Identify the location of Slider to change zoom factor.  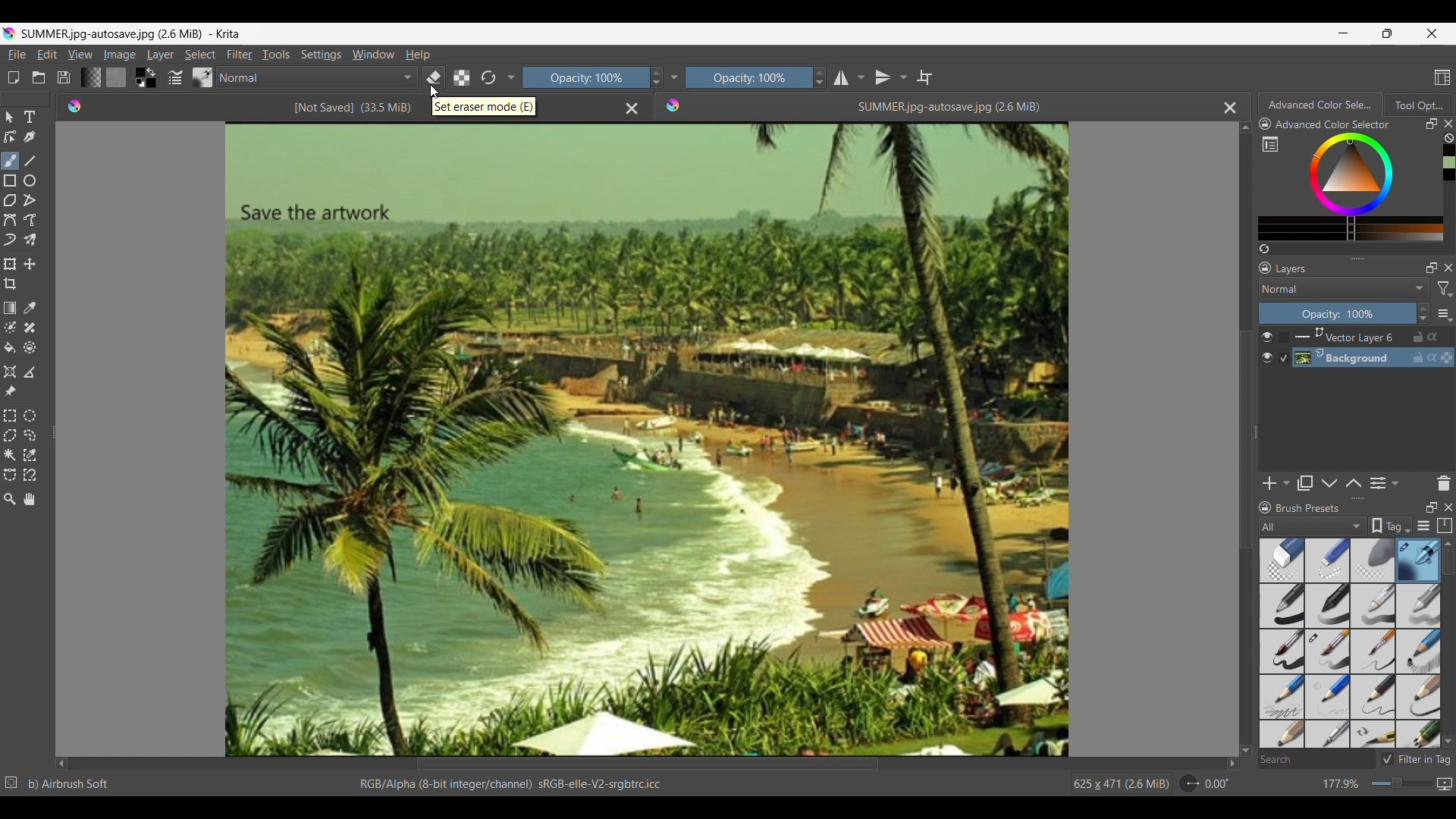
(1402, 783).